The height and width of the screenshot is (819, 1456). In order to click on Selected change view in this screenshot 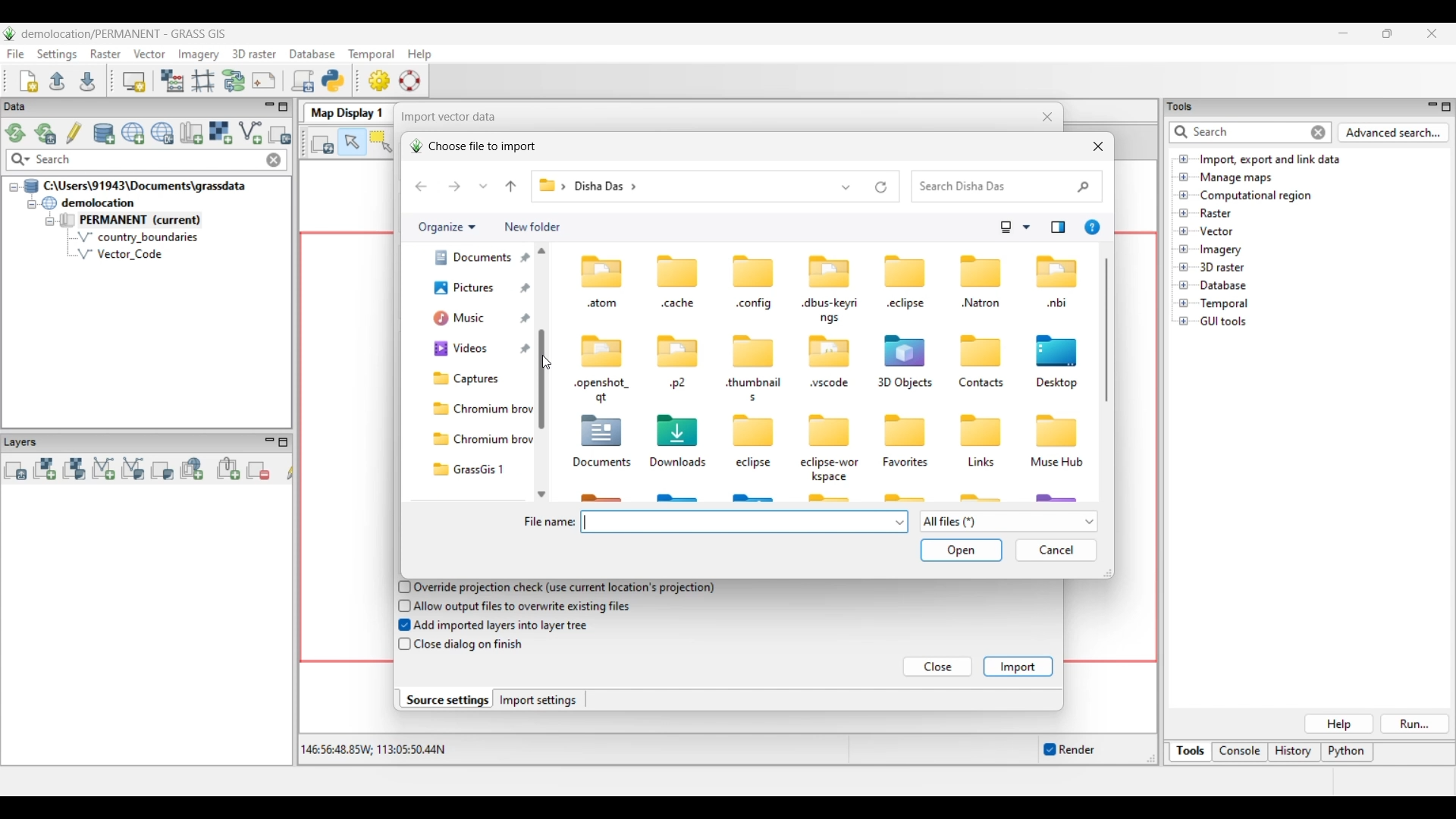, I will do `click(1006, 227)`.